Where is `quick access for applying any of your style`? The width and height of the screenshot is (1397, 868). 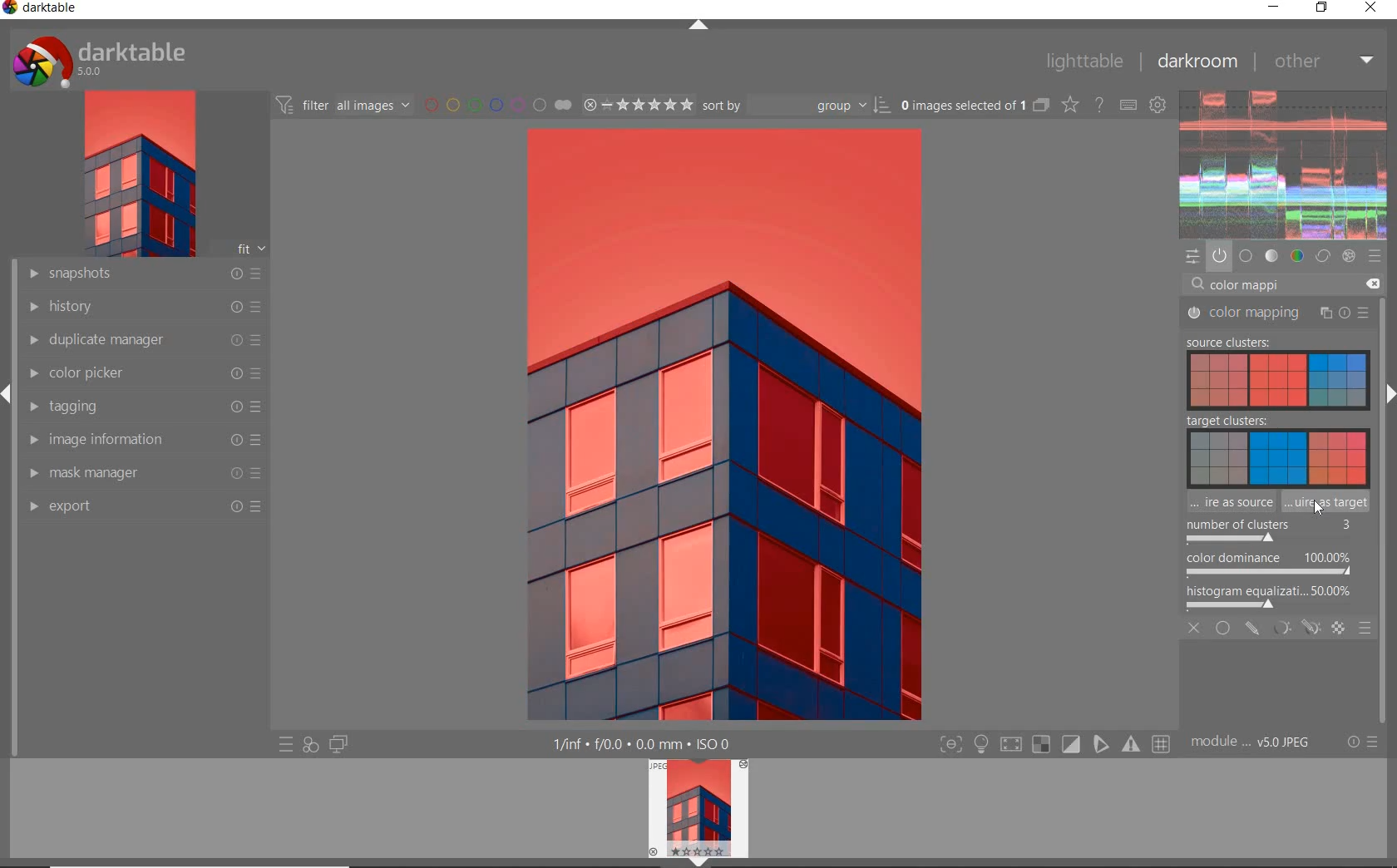 quick access for applying any of your style is located at coordinates (310, 745).